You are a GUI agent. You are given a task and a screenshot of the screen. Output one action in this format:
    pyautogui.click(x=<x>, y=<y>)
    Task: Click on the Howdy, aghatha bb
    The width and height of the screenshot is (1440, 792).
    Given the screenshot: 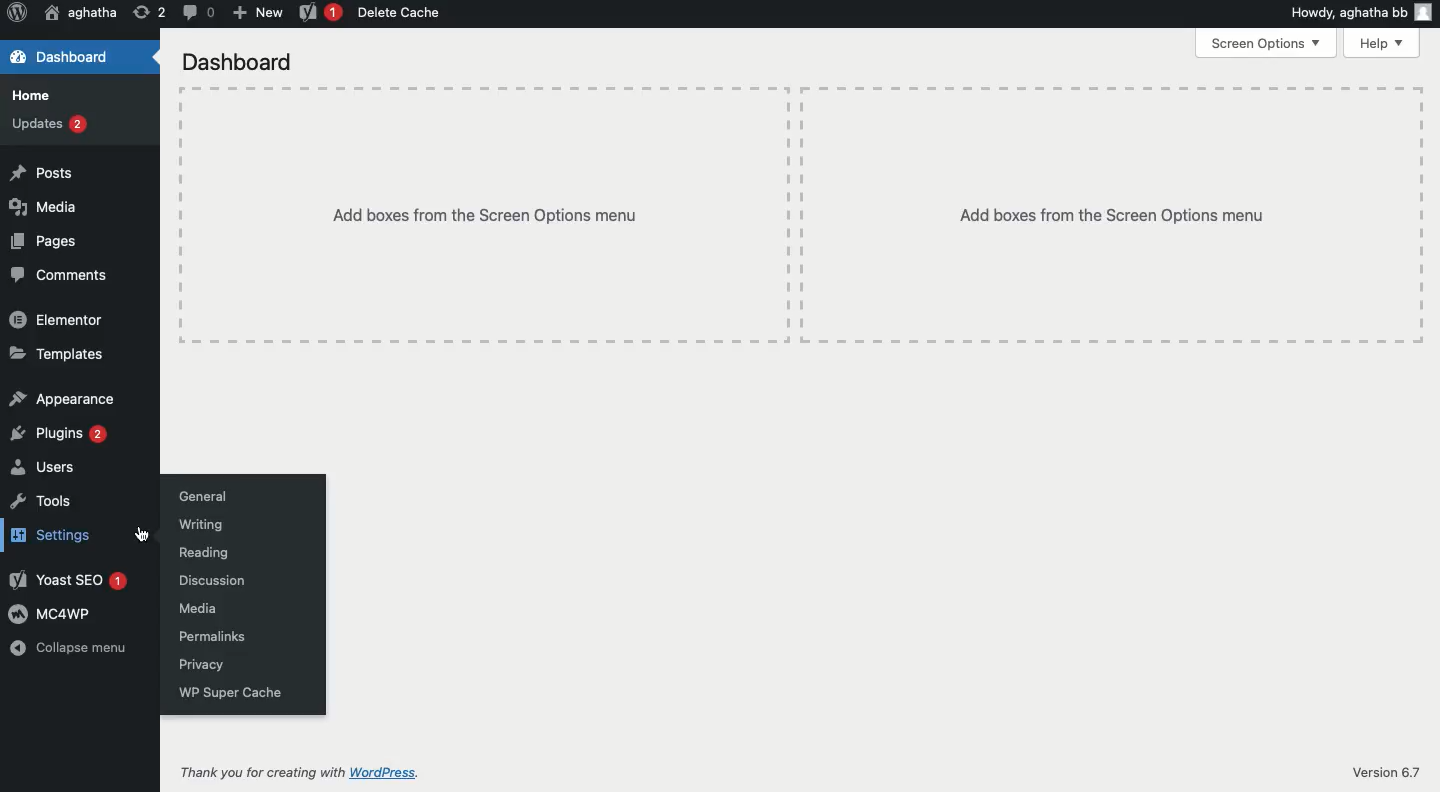 What is the action you would take?
    pyautogui.click(x=1360, y=11)
    